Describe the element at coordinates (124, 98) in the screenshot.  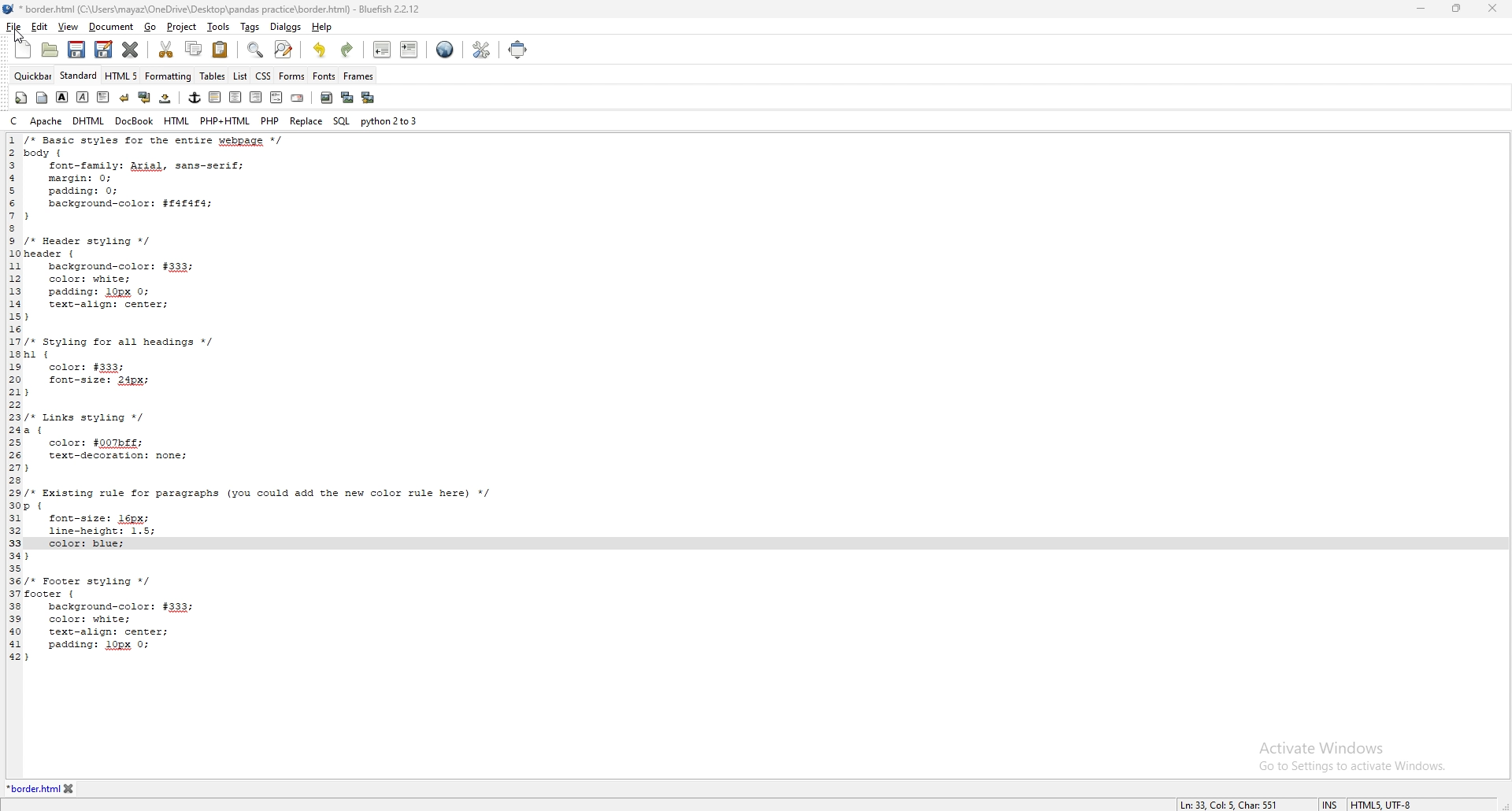
I see `break` at that location.